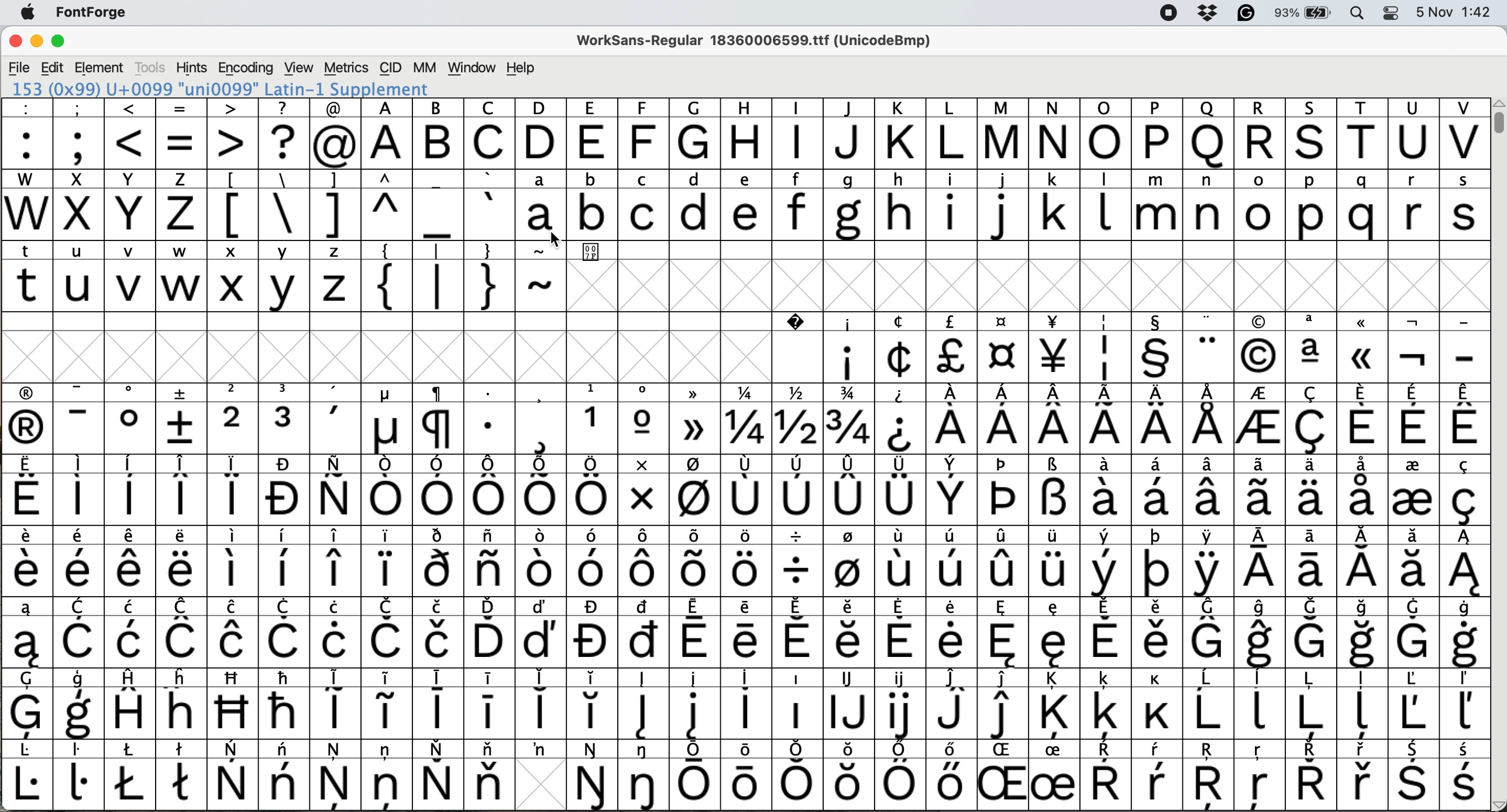  I want to click on symbol, so click(286, 418).